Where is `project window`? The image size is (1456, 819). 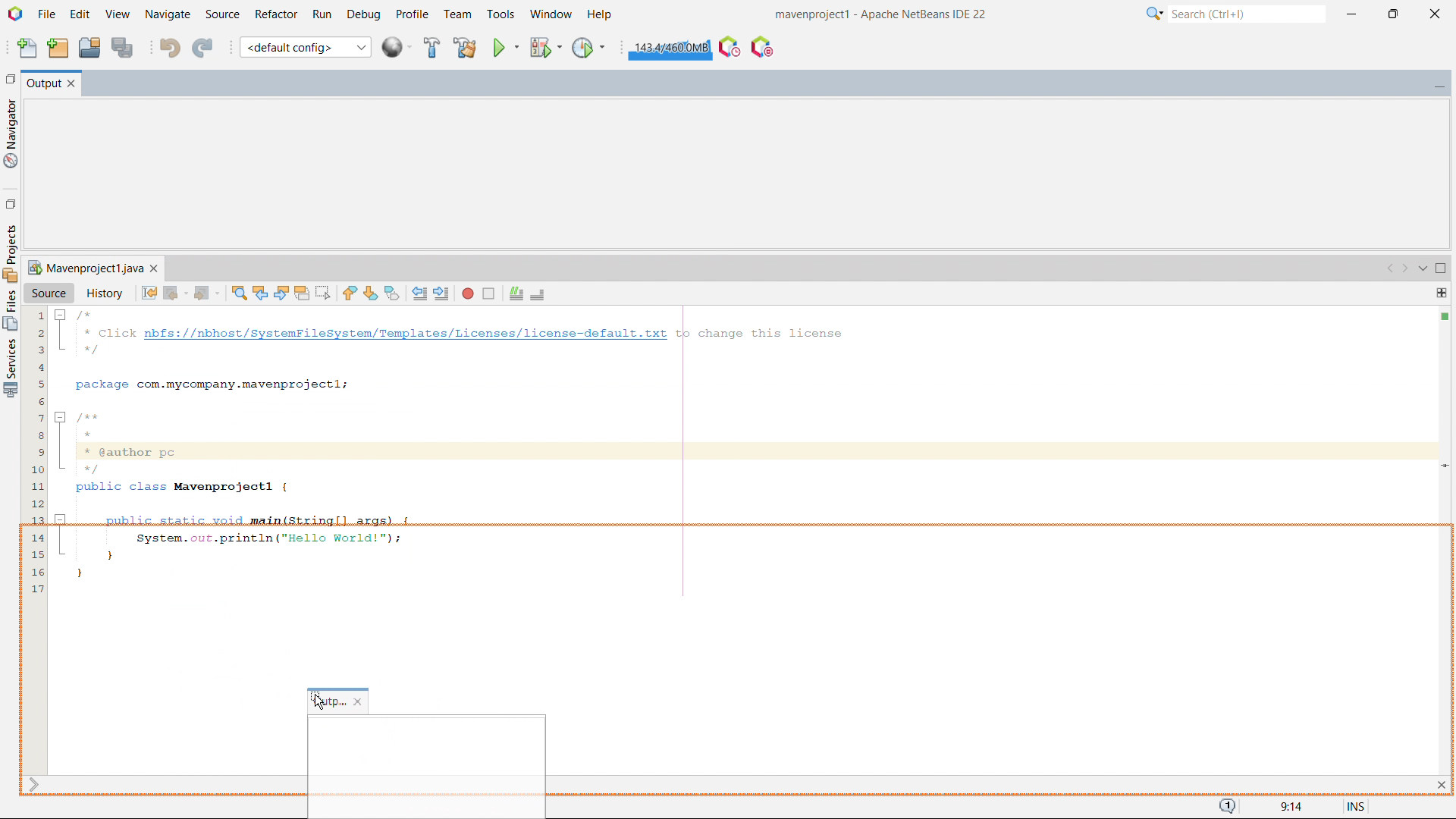
project window is located at coordinates (83, 268).